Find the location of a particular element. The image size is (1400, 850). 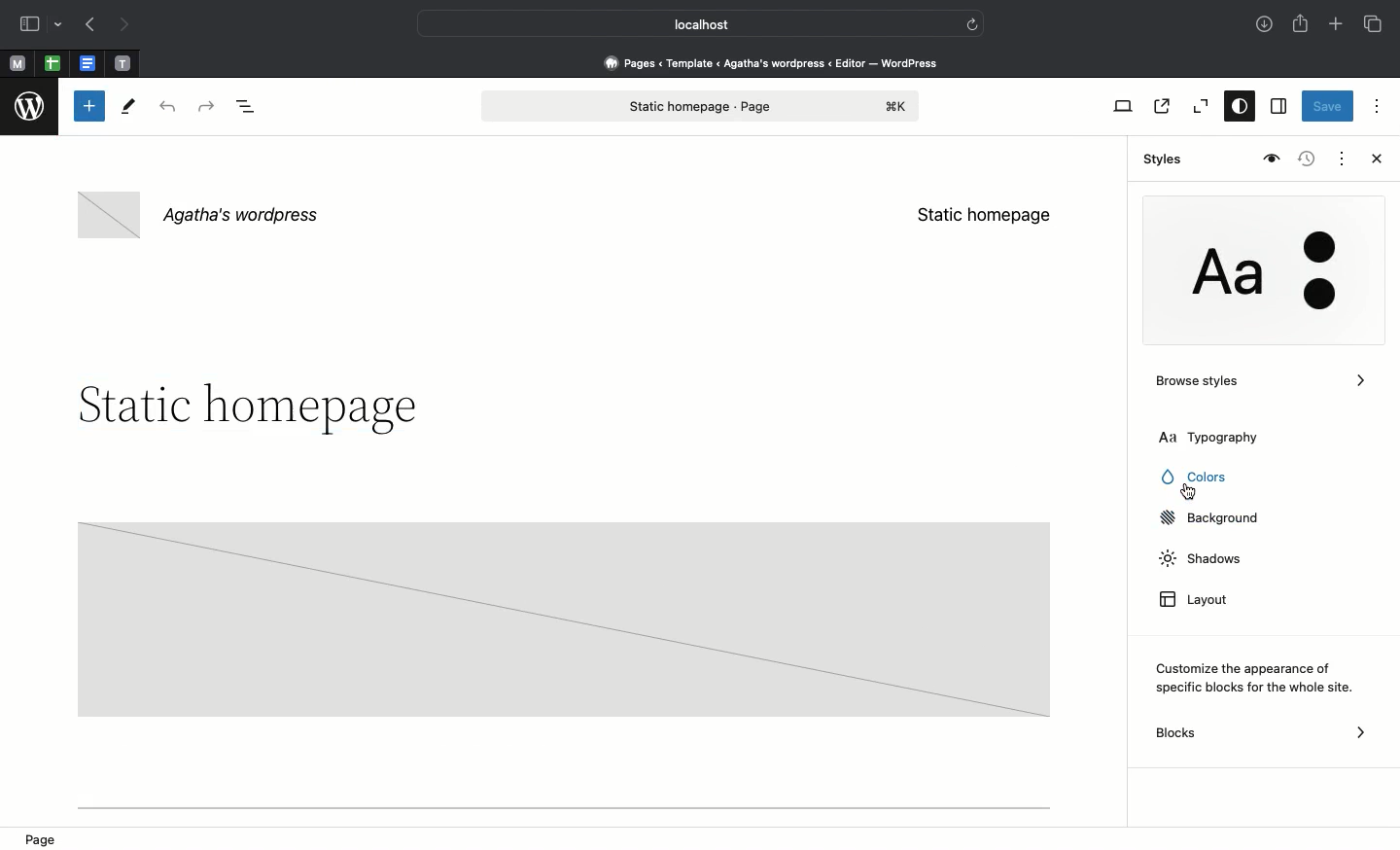

Pinned tab is located at coordinates (17, 64).